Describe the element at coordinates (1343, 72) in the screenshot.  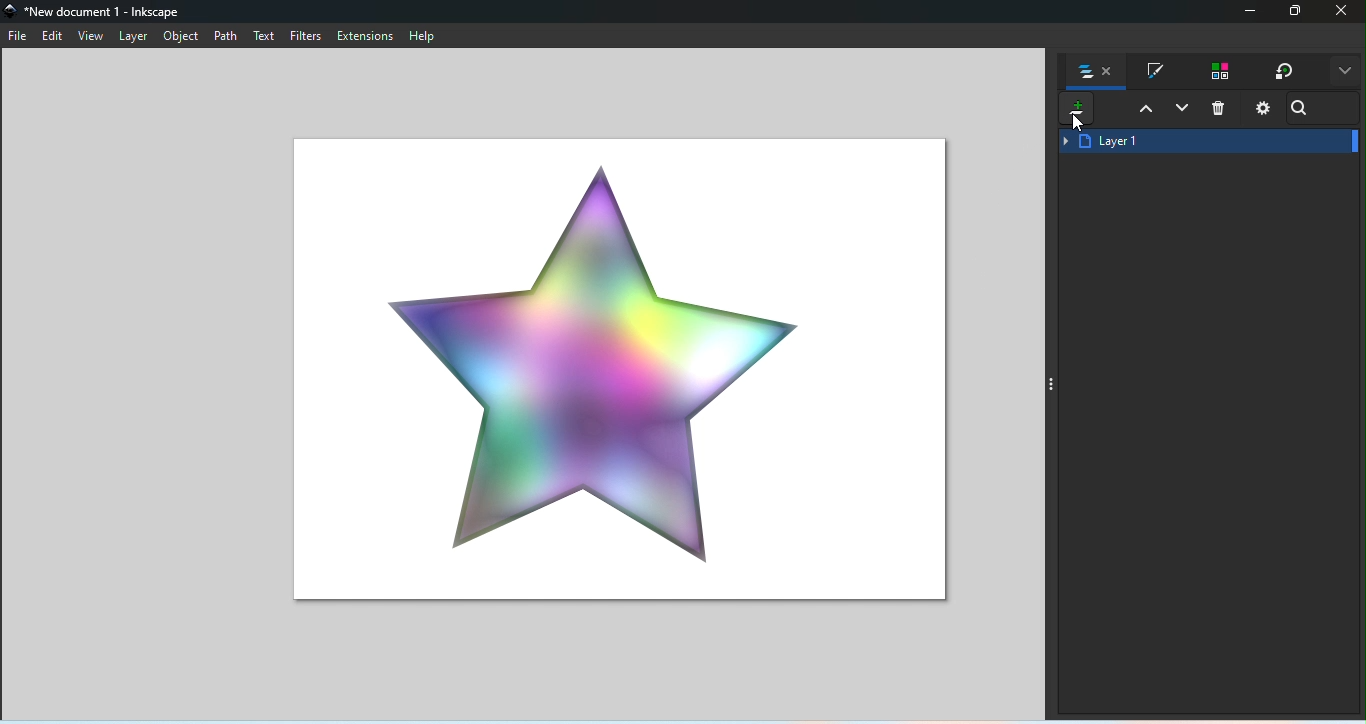
I see `More options` at that location.